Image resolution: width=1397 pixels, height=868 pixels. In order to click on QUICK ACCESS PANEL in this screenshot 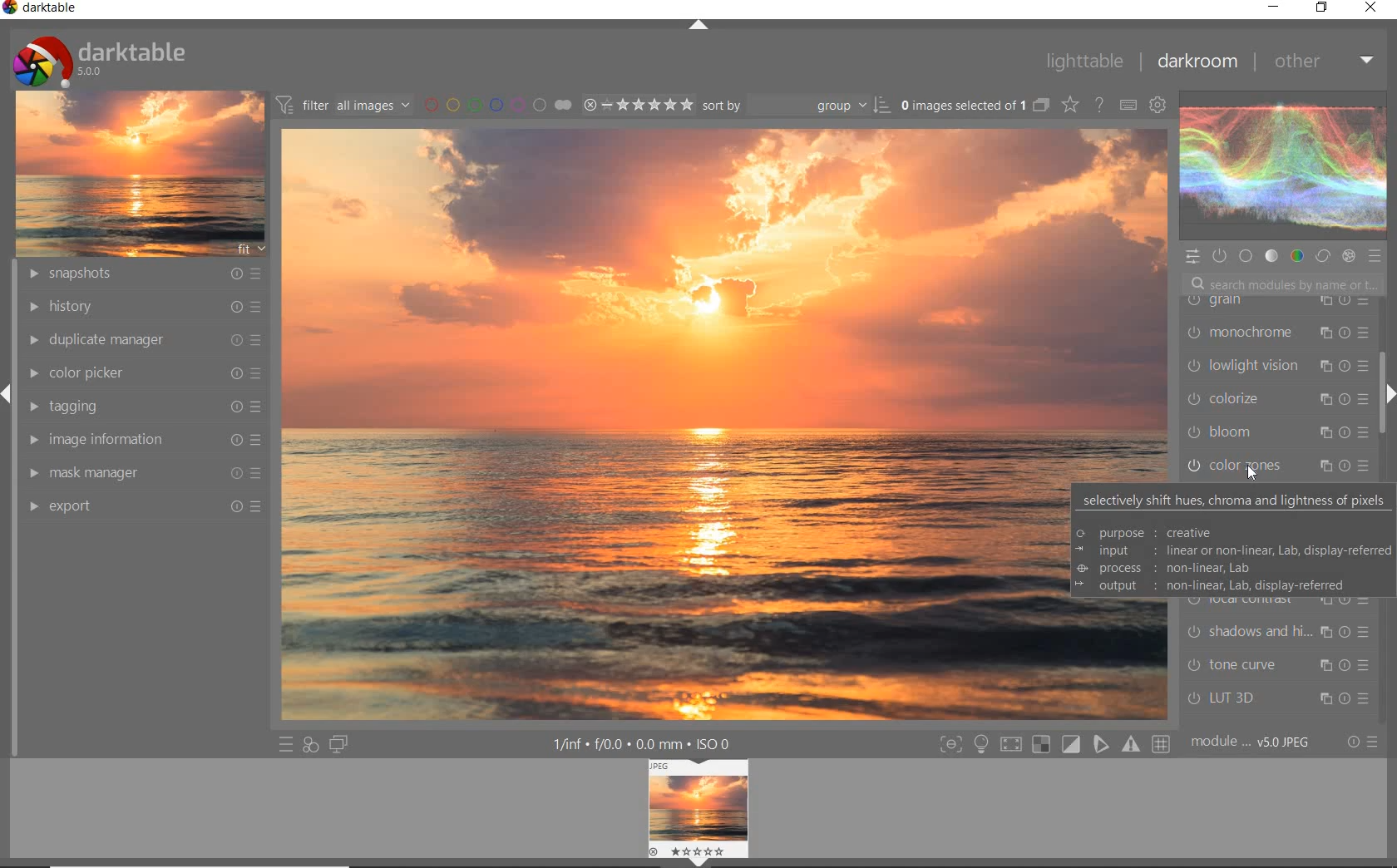, I will do `click(1194, 255)`.